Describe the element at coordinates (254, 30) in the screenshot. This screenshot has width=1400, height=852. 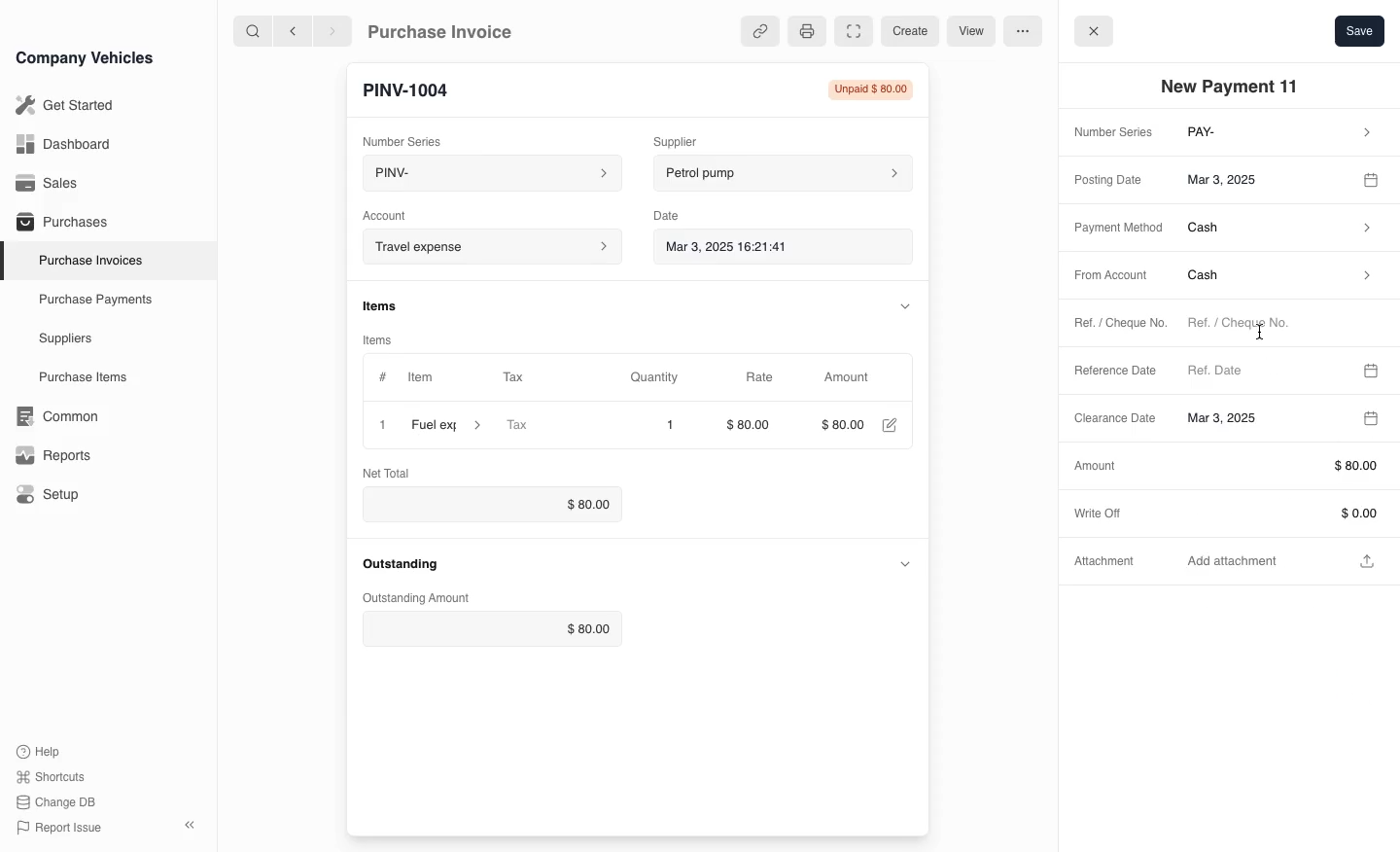
I see `search` at that location.